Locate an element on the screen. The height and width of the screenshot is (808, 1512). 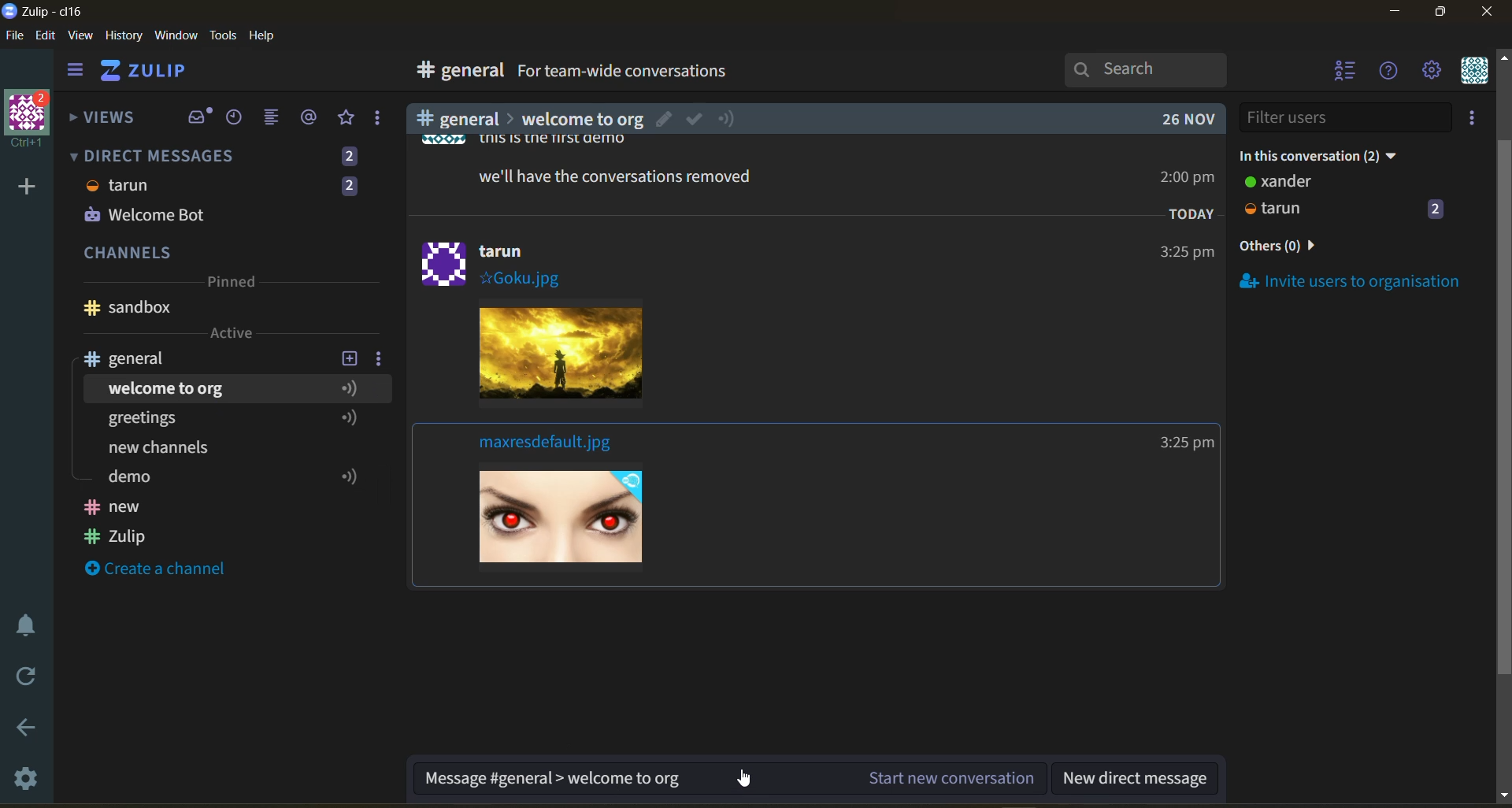
mentions is located at coordinates (312, 117).